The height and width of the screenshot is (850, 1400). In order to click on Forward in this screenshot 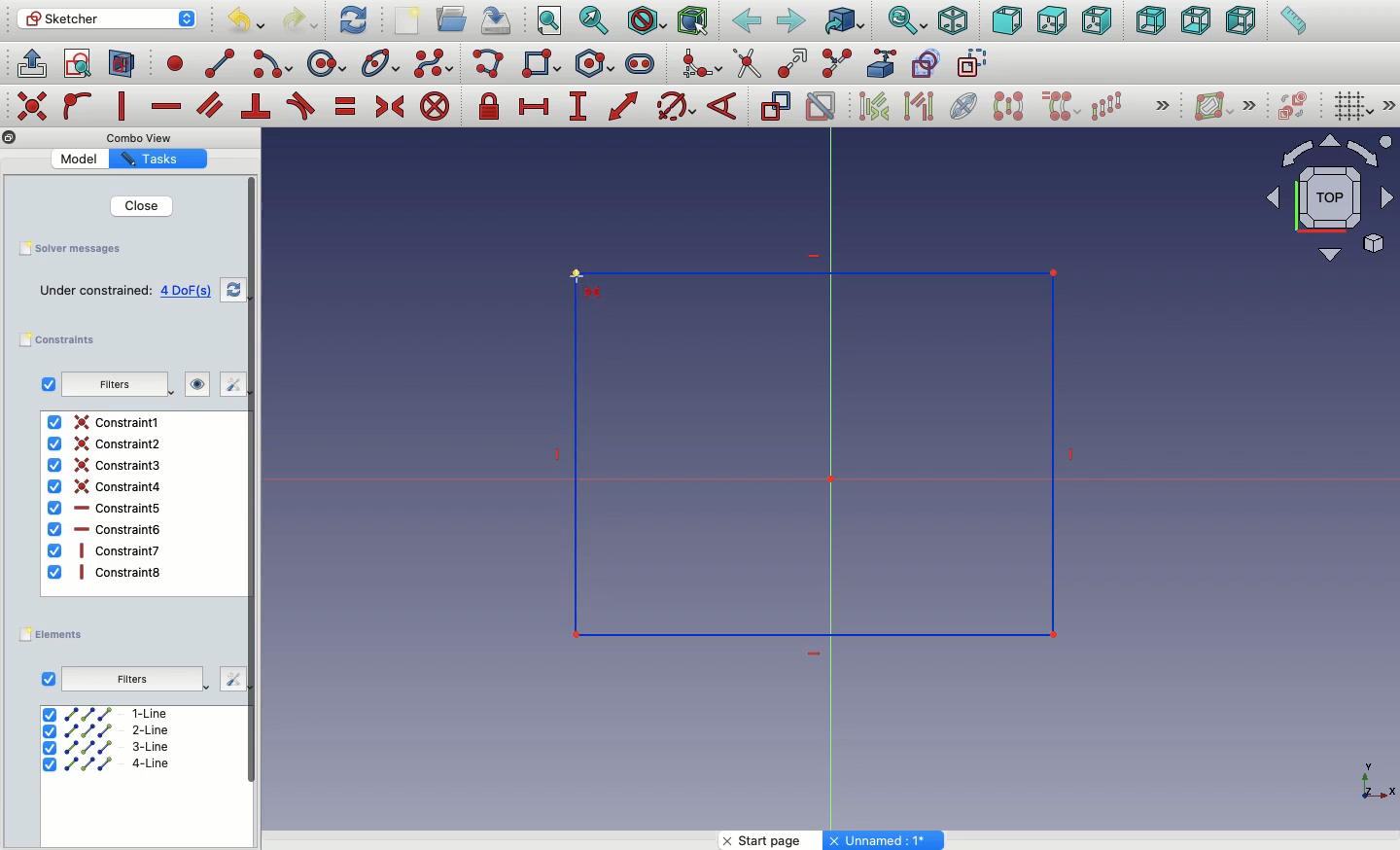, I will do `click(791, 20)`.